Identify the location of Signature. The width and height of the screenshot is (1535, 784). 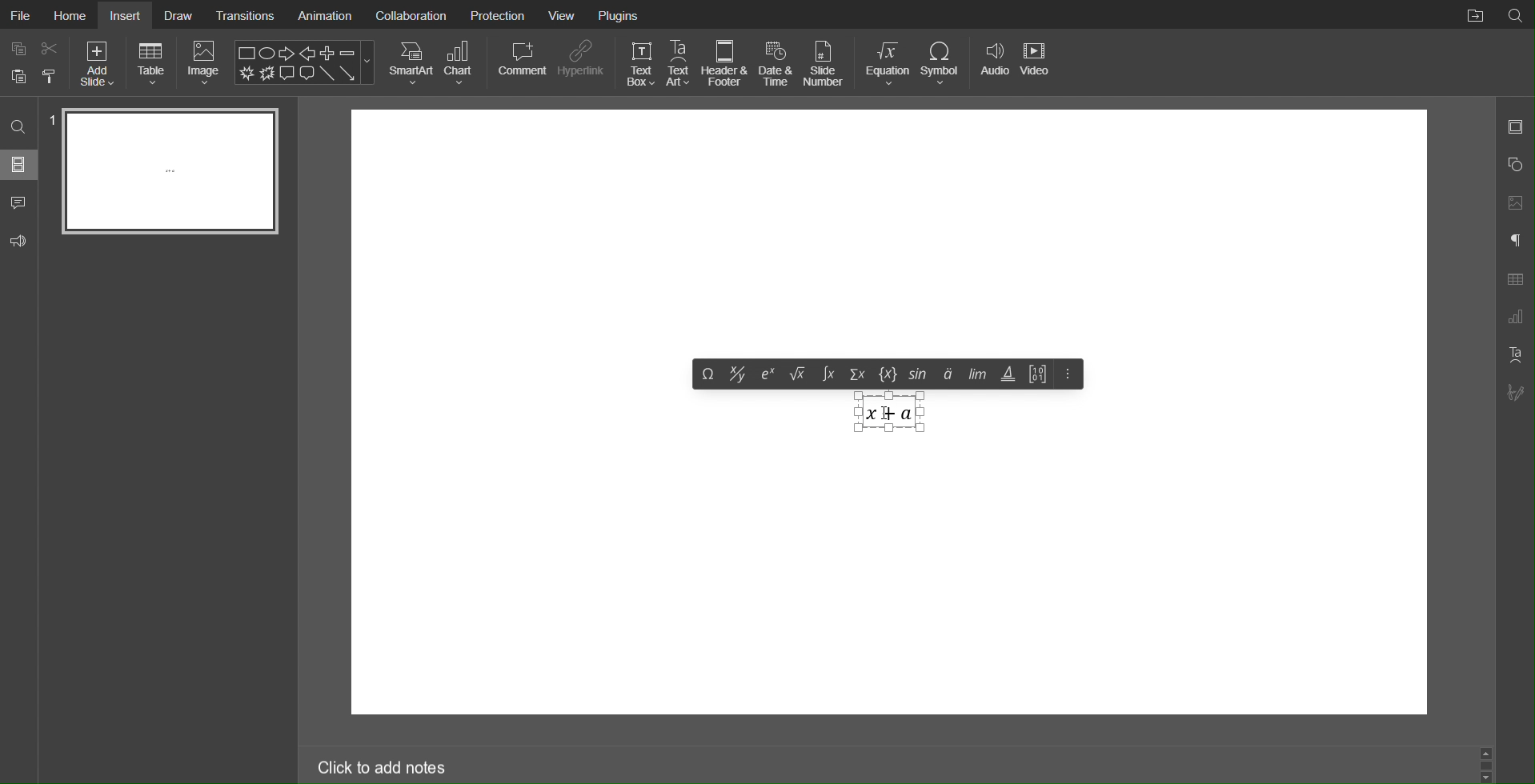
(1516, 393).